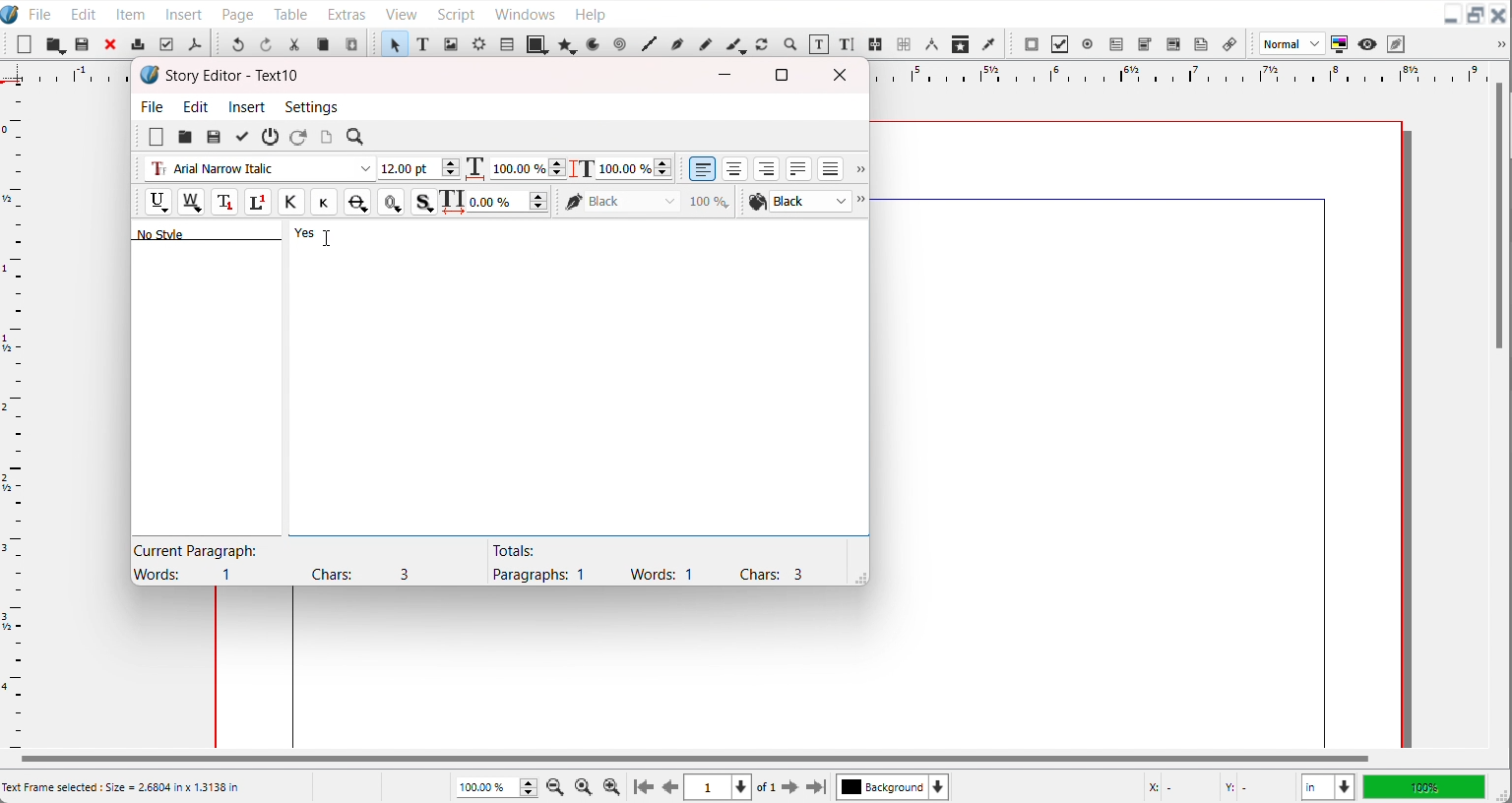 Image resolution: width=1512 pixels, height=803 pixels. Describe the element at coordinates (590, 13) in the screenshot. I see `Help` at that location.